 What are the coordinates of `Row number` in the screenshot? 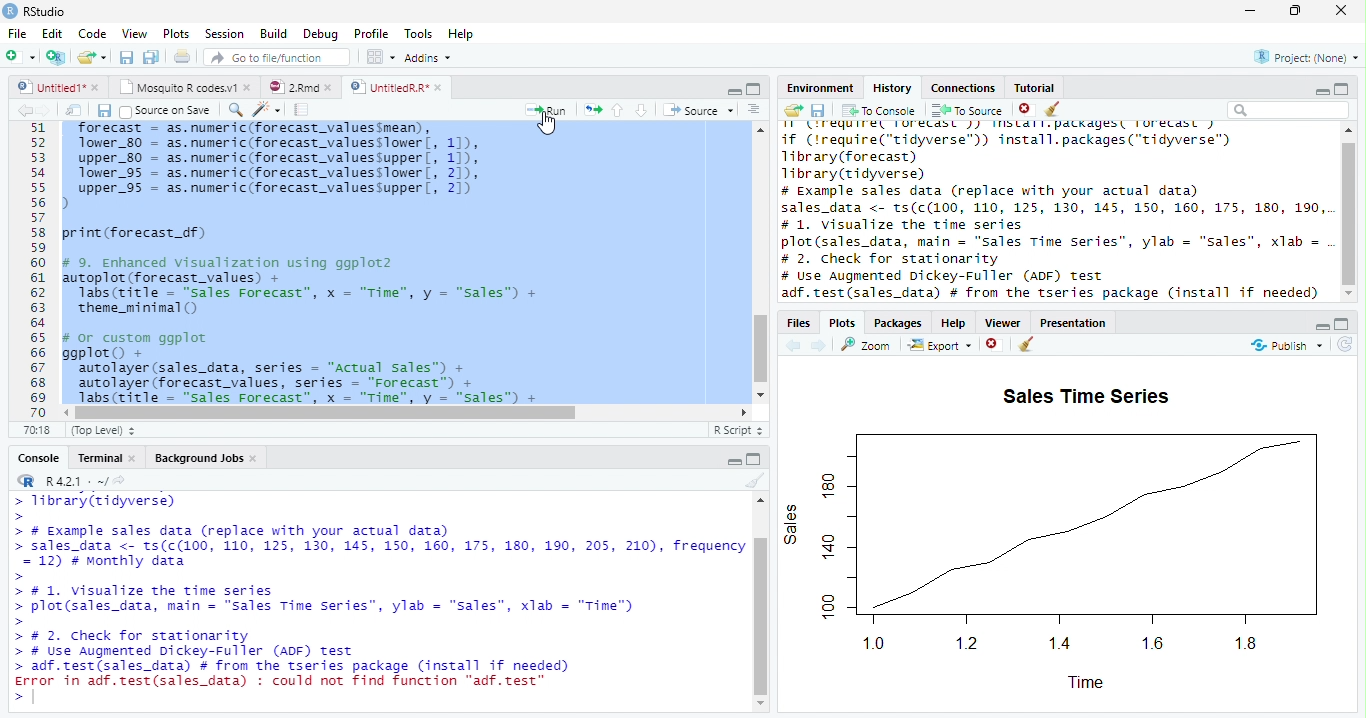 It's located at (32, 269).